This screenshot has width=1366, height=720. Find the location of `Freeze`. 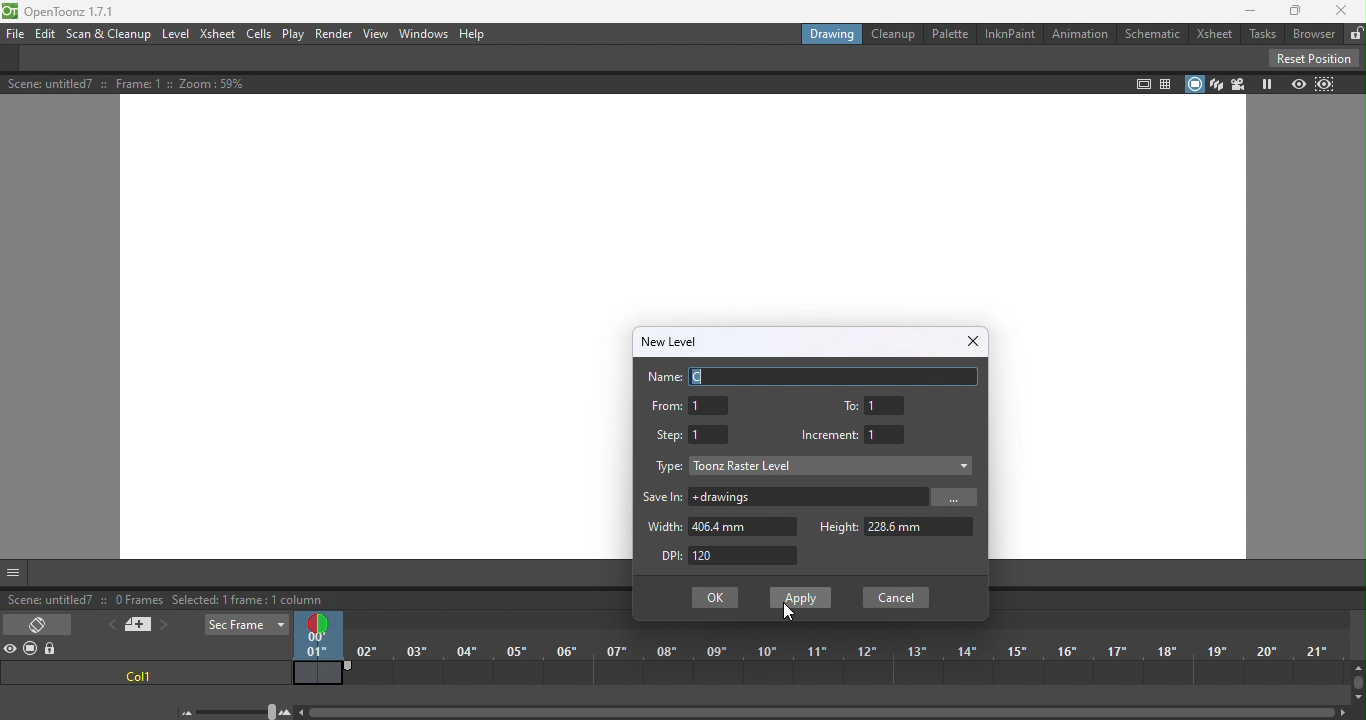

Freeze is located at coordinates (1265, 84).